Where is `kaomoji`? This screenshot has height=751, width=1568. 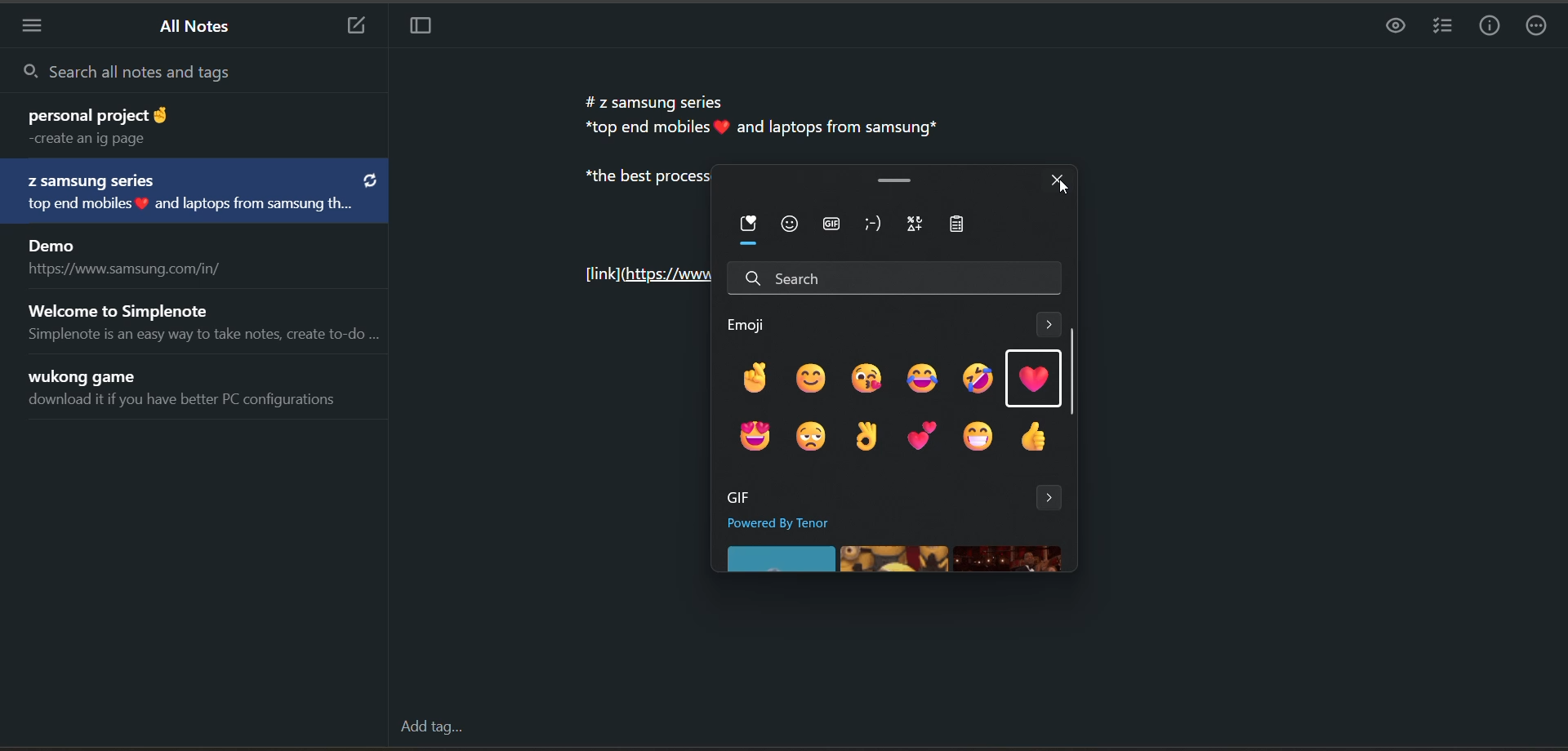
kaomoji is located at coordinates (878, 224).